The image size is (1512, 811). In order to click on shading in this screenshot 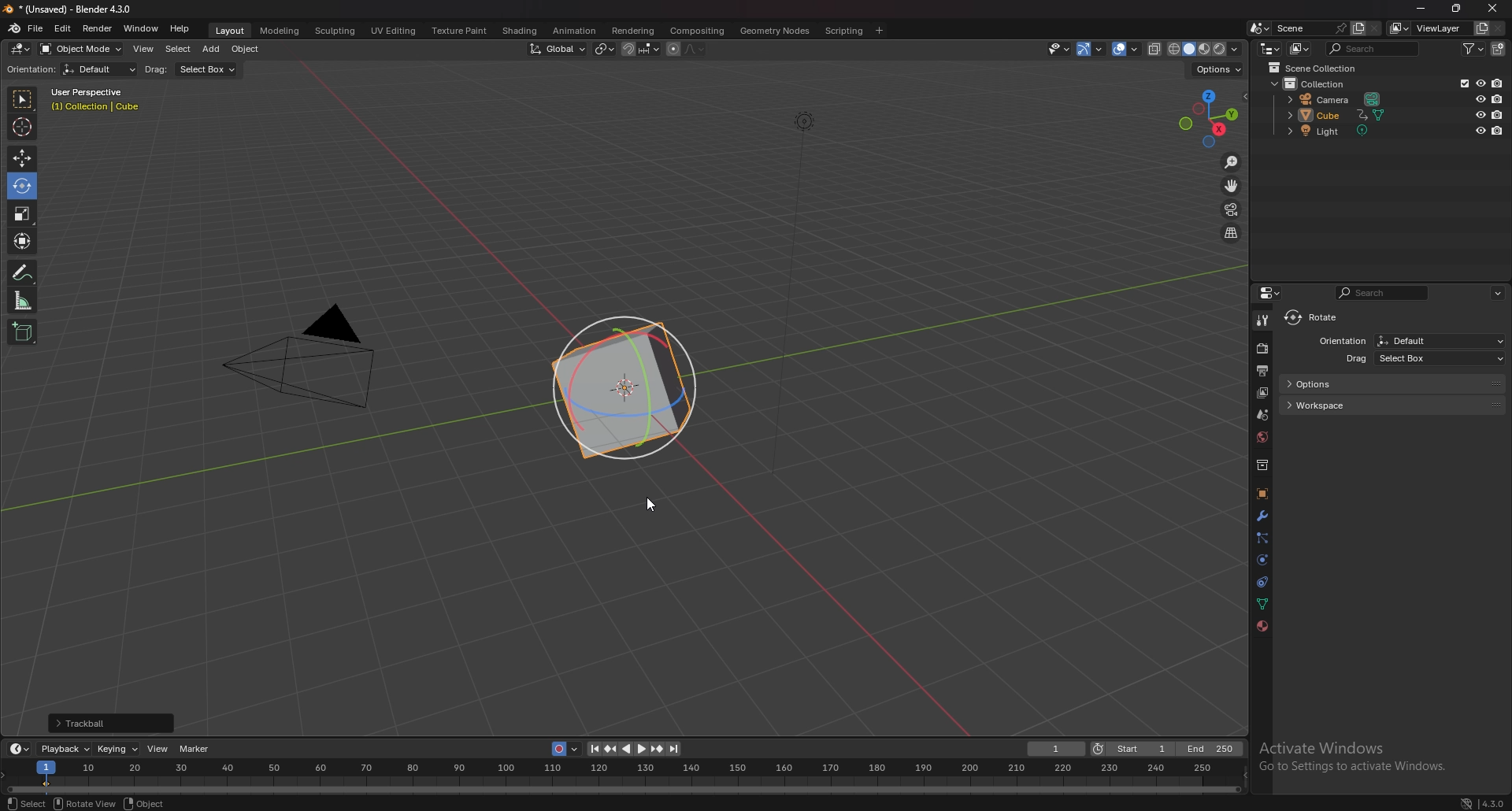, I will do `click(519, 30)`.